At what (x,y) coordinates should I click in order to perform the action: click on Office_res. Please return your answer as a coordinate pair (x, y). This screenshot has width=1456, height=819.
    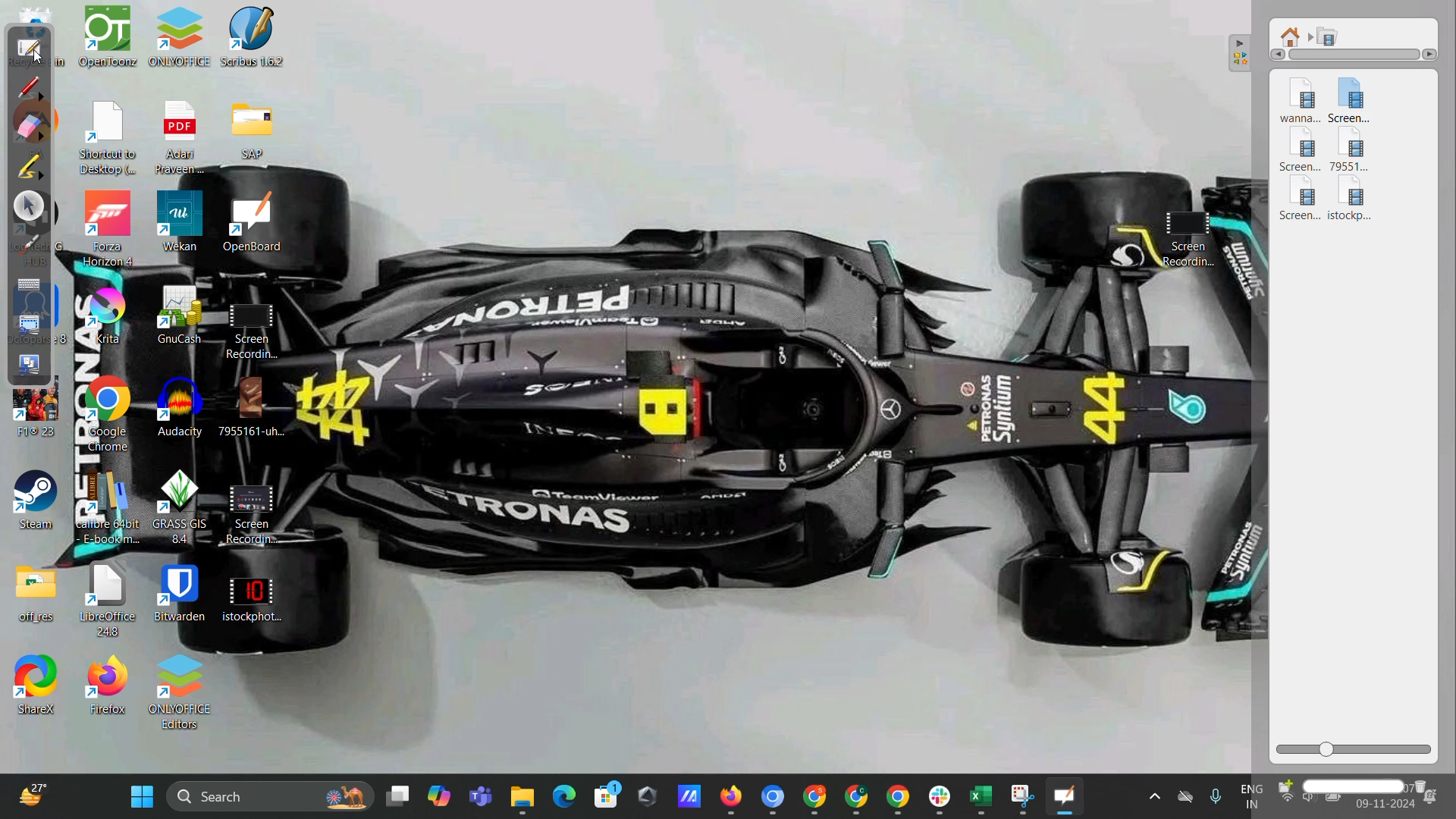
    Looking at the image, I should click on (37, 597).